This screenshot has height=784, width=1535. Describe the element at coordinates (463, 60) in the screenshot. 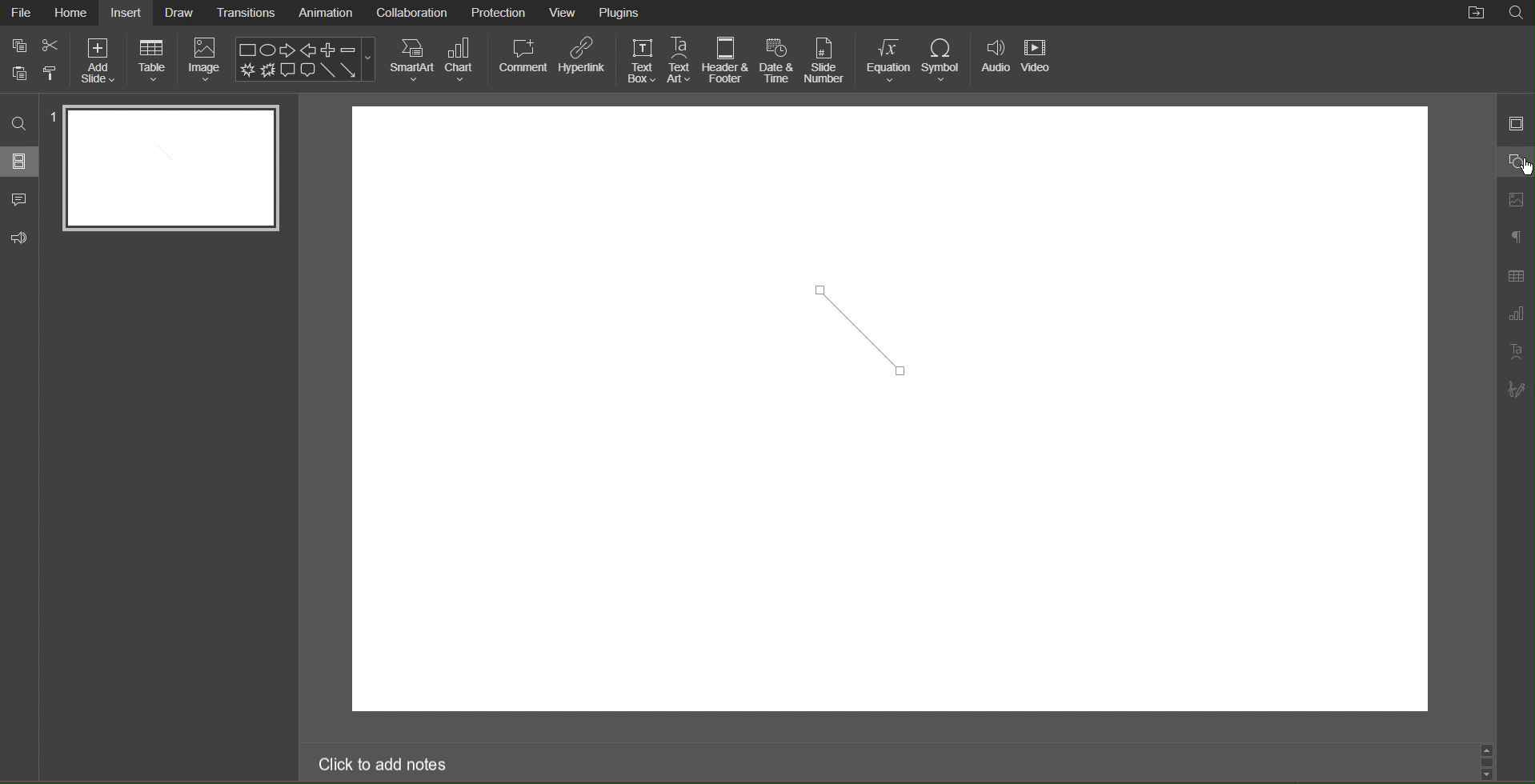

I see `Chart` at that location.